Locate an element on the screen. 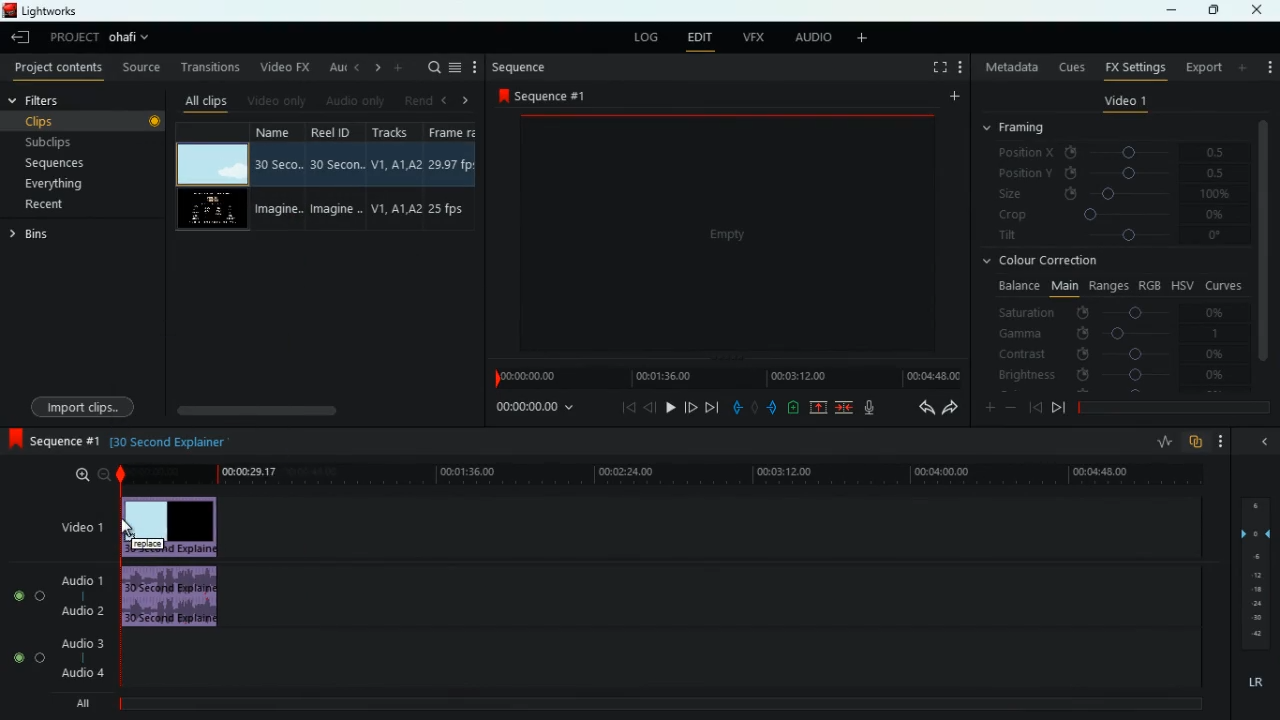  cursor is located at coordinates (127, 527).